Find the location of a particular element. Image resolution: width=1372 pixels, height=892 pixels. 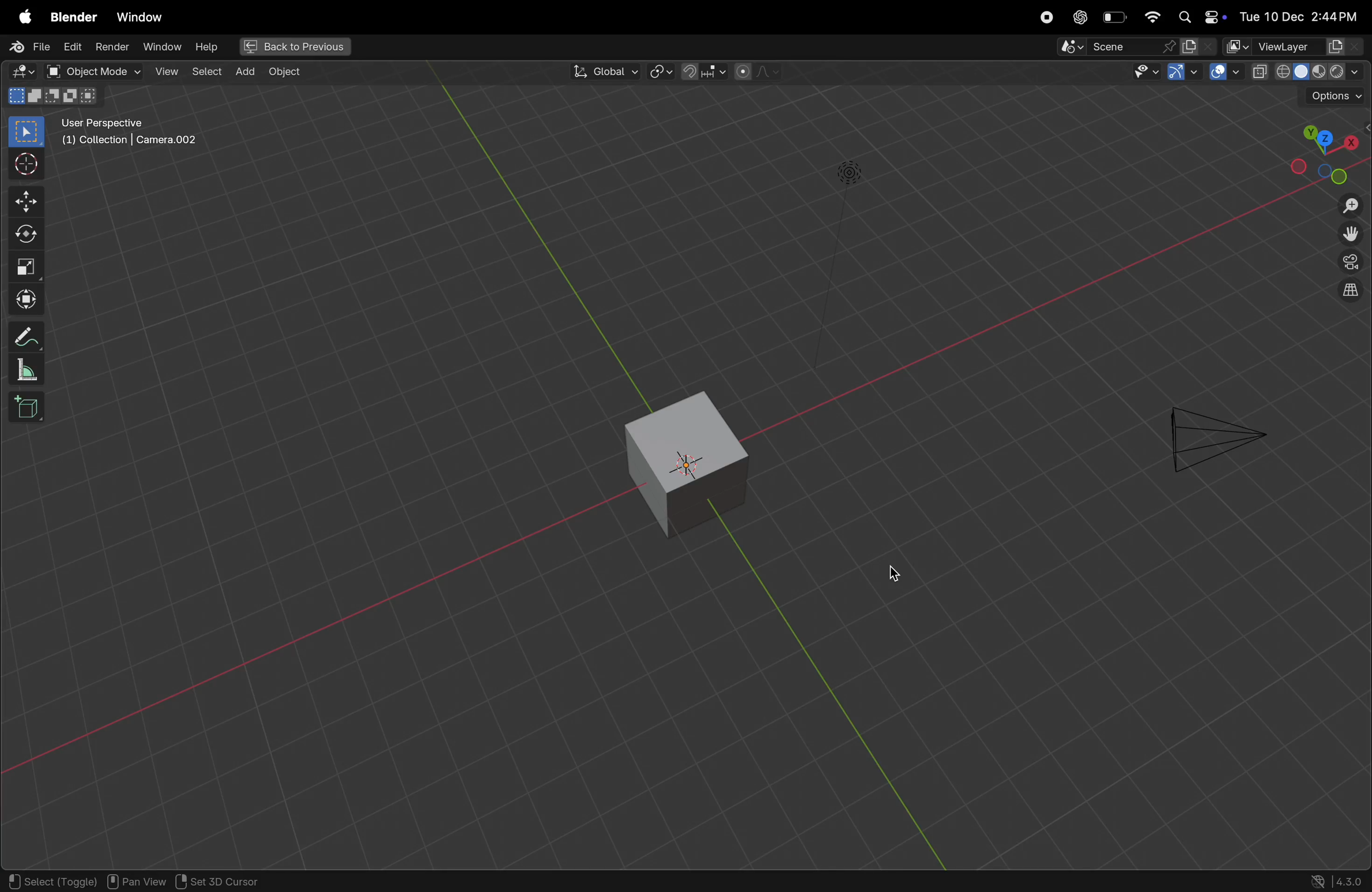

display mode is located at coordinates (1199, 47).